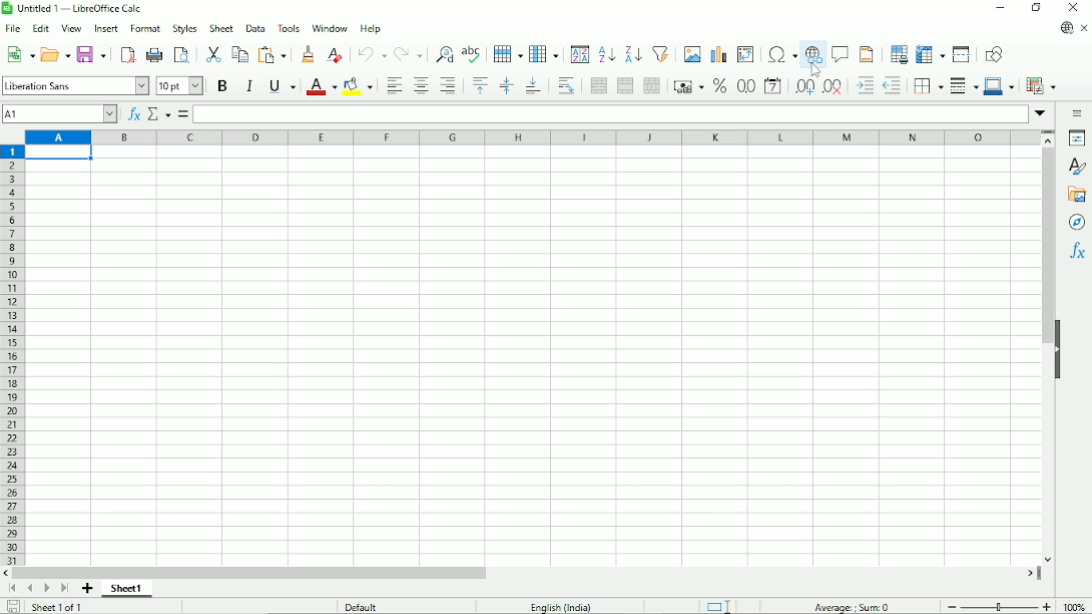  I want to click on Update available, so click(1066, 29).